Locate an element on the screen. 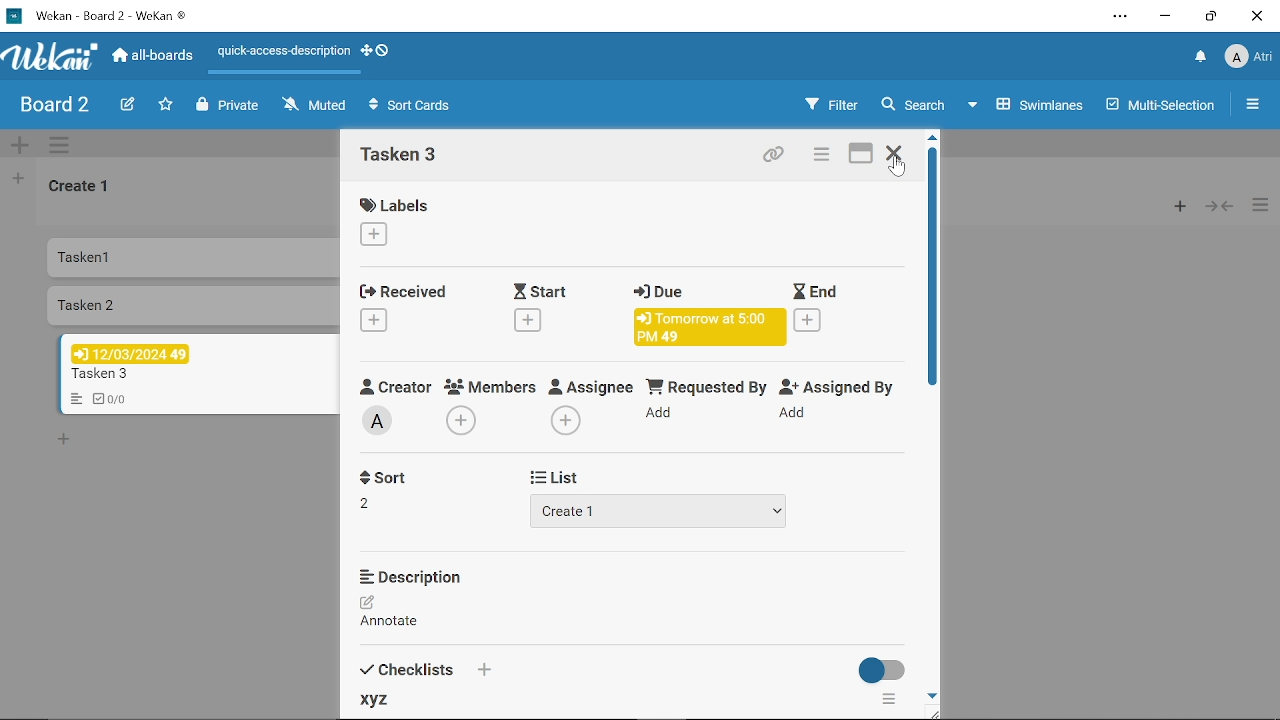  Add is located at coordinates (662, 414).